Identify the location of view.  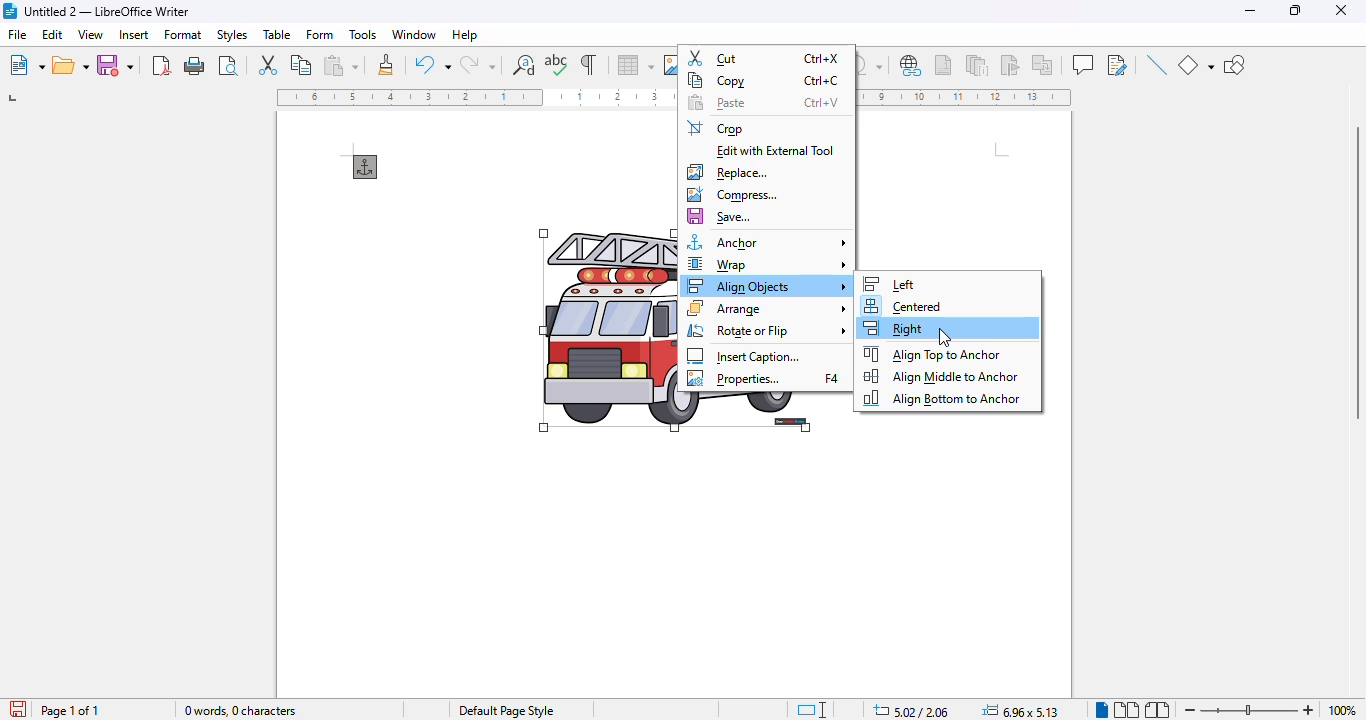
(90, 34).